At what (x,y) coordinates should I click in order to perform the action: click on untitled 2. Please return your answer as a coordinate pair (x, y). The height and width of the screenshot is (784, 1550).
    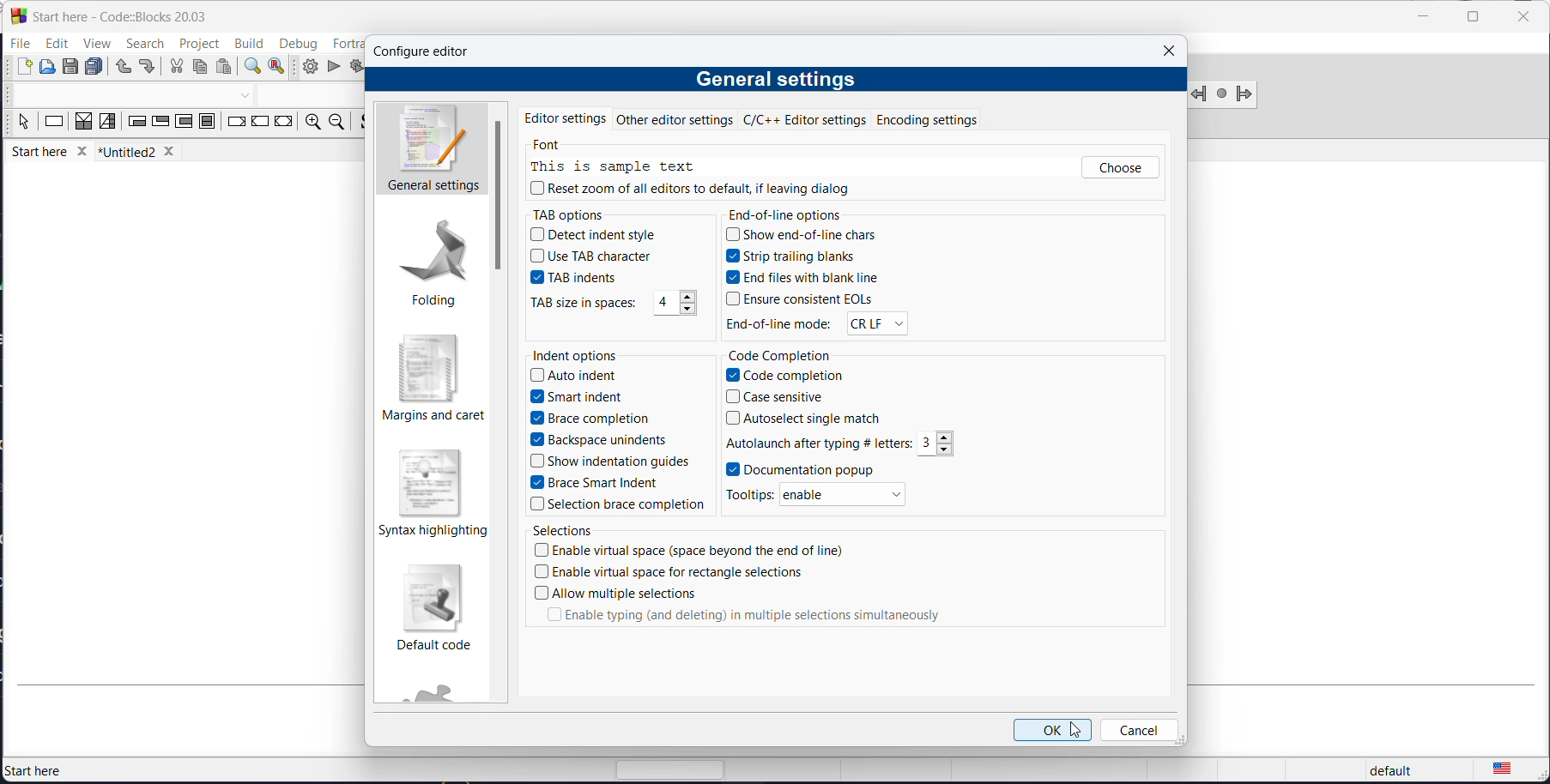
    Looking at the image, I should click on (143, 152).